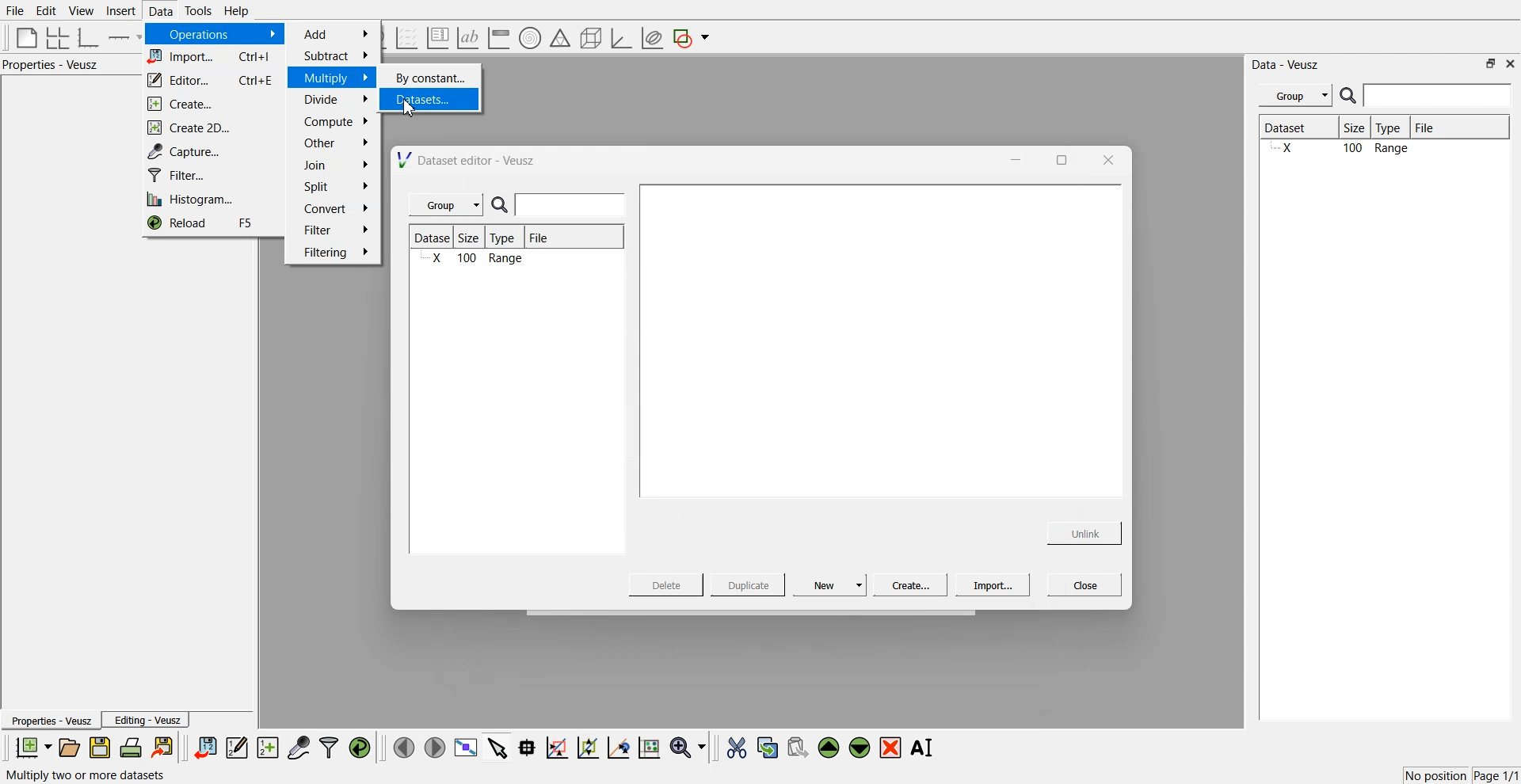 The height and width of the screenshot is (784, 1521). What do you see at coordinates (620, 39) in the screenshot?
I see `3d graph` at bounding box center [620, 39].